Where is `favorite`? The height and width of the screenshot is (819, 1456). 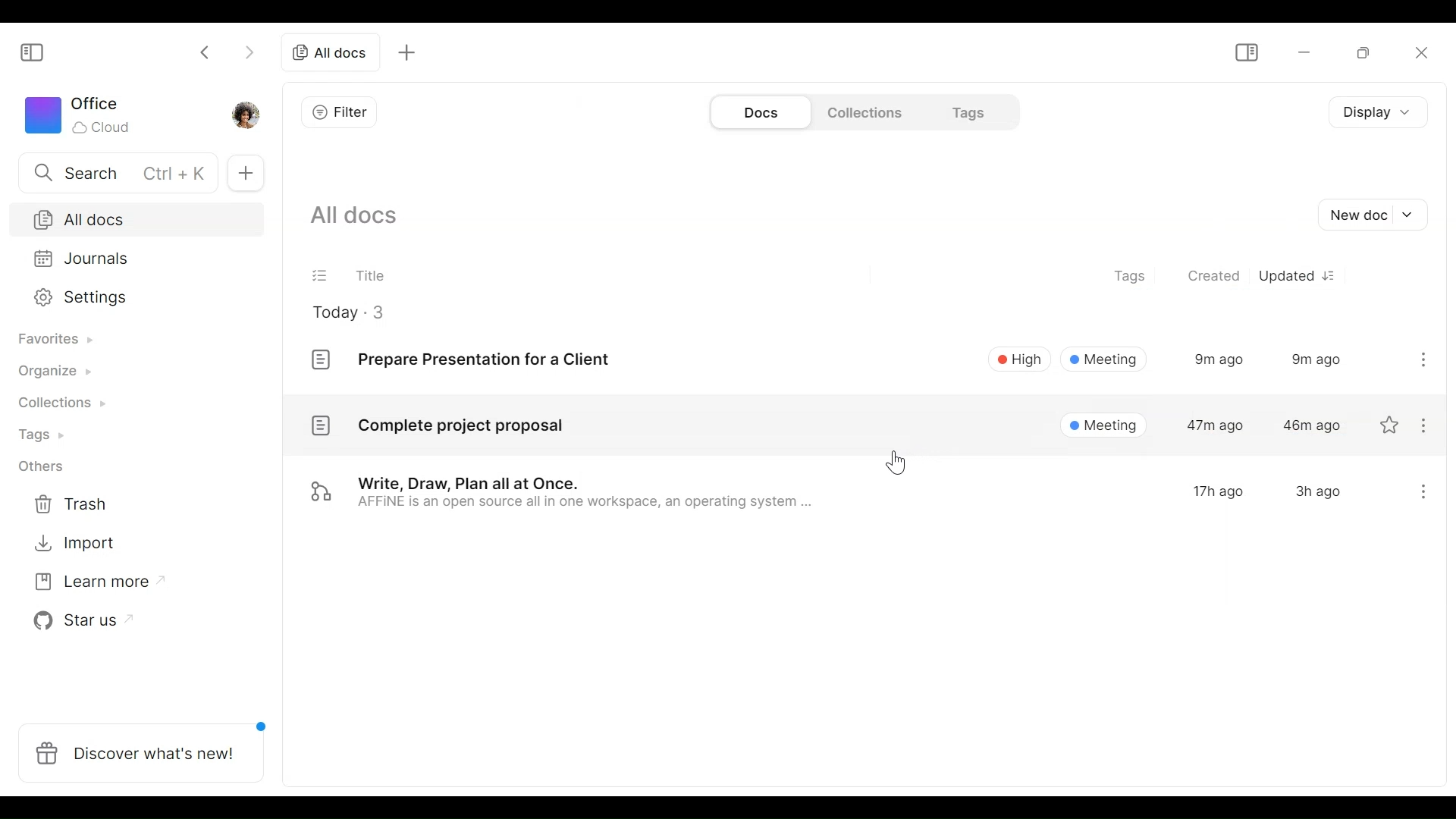
favorite is located at coordinates (1391, 426).